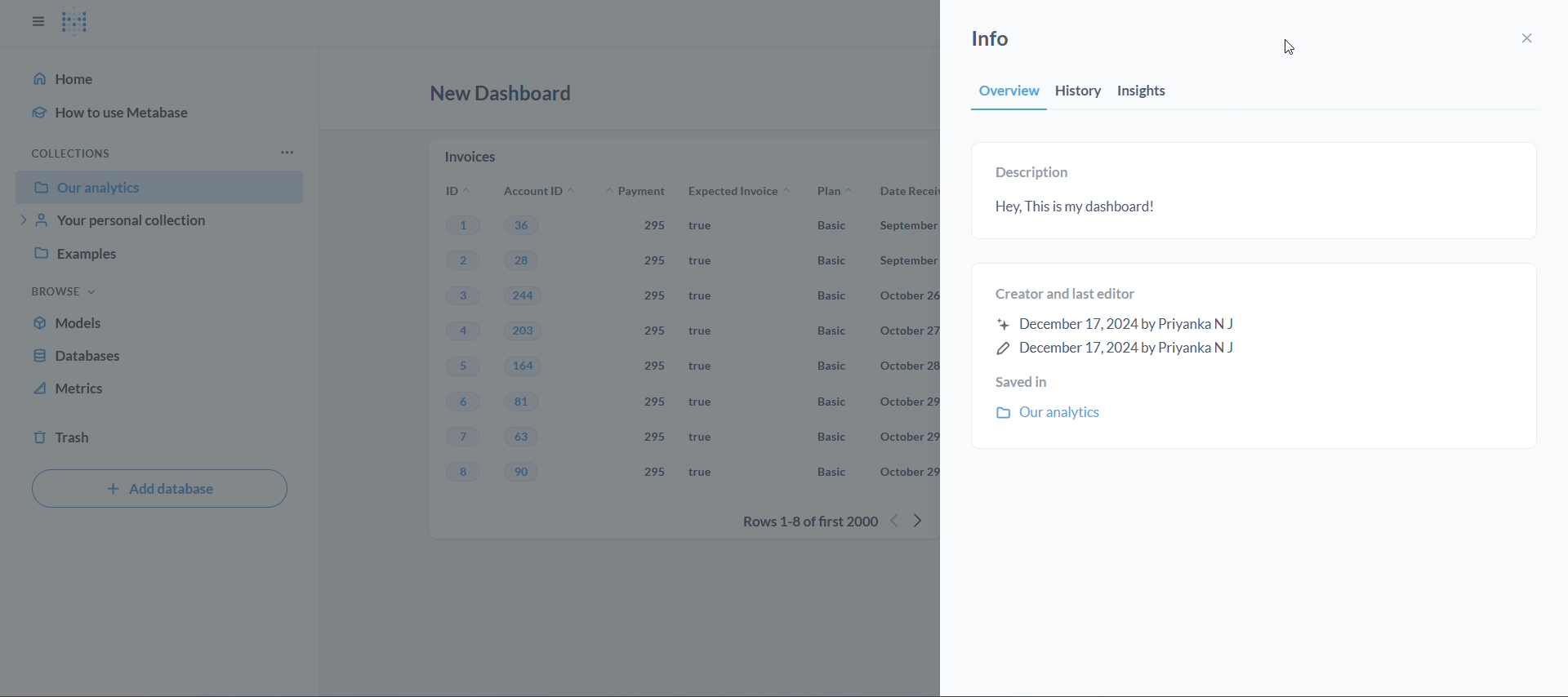  What do you see at coordinates (1134, 322) in the screenshot?
I see `created and last editor information` at bounding box center [1134, 322].